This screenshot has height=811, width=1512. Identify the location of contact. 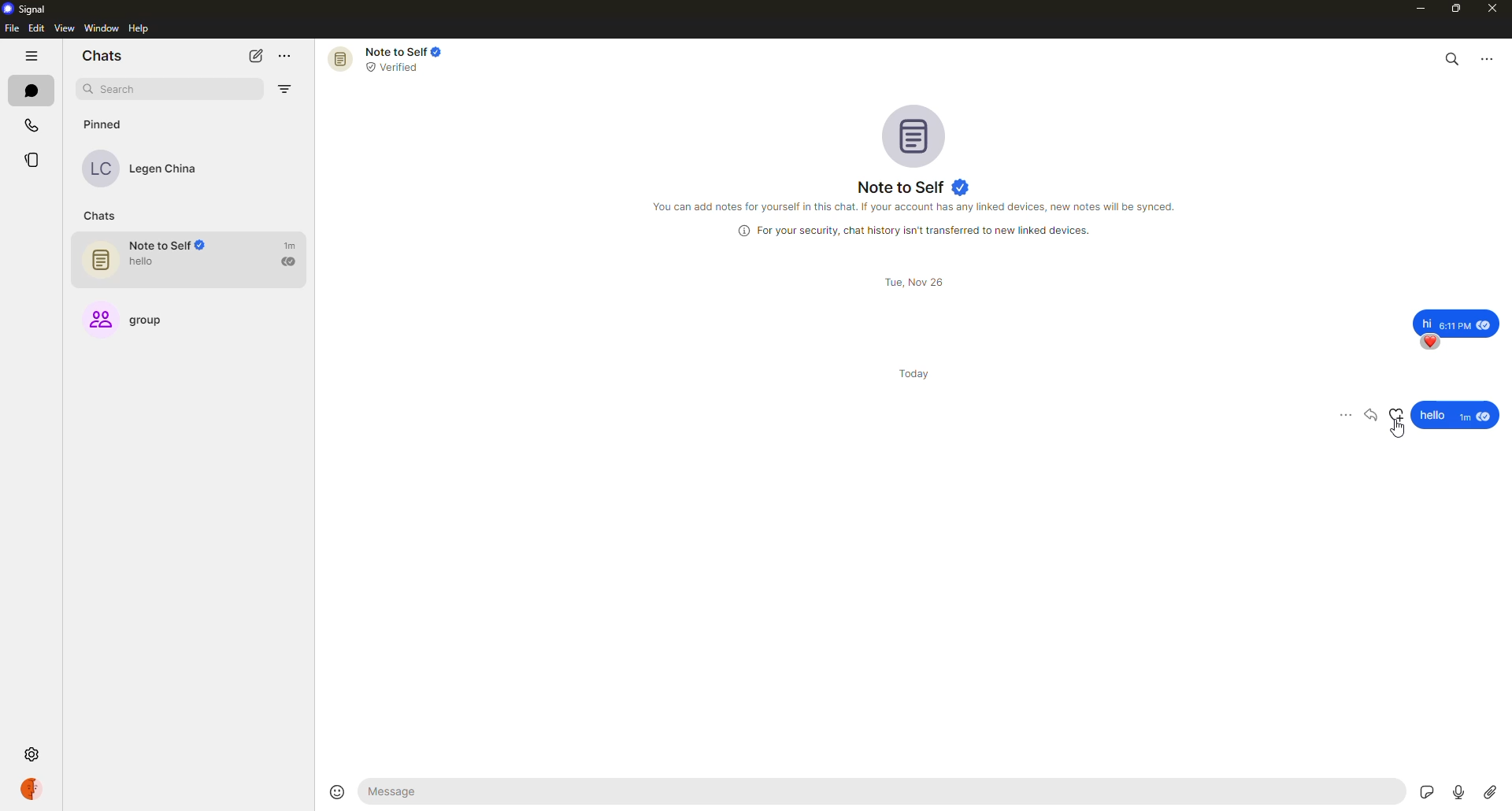
(151, 169).